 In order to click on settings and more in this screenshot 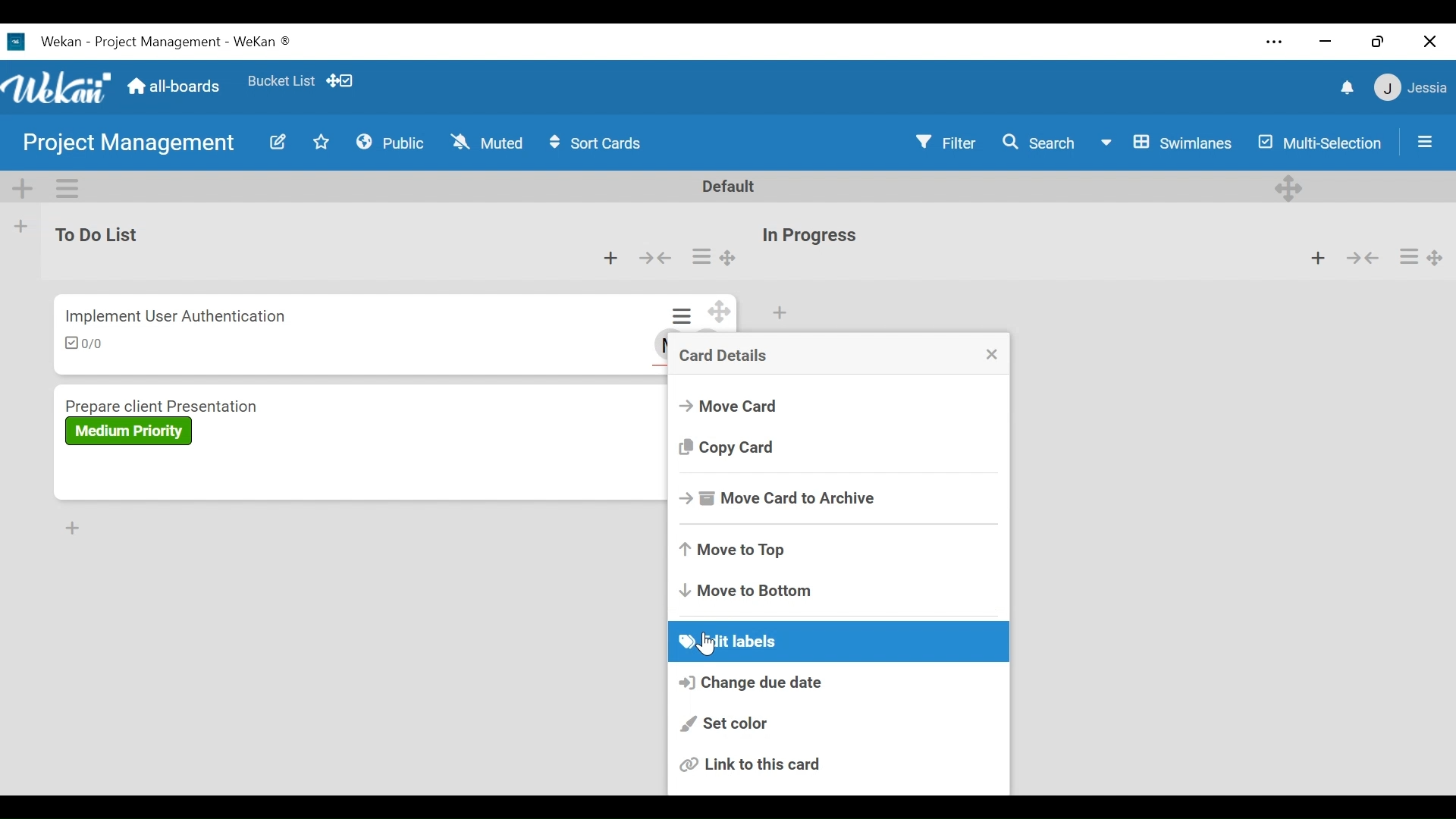, I will do `click(1277, 43)`.